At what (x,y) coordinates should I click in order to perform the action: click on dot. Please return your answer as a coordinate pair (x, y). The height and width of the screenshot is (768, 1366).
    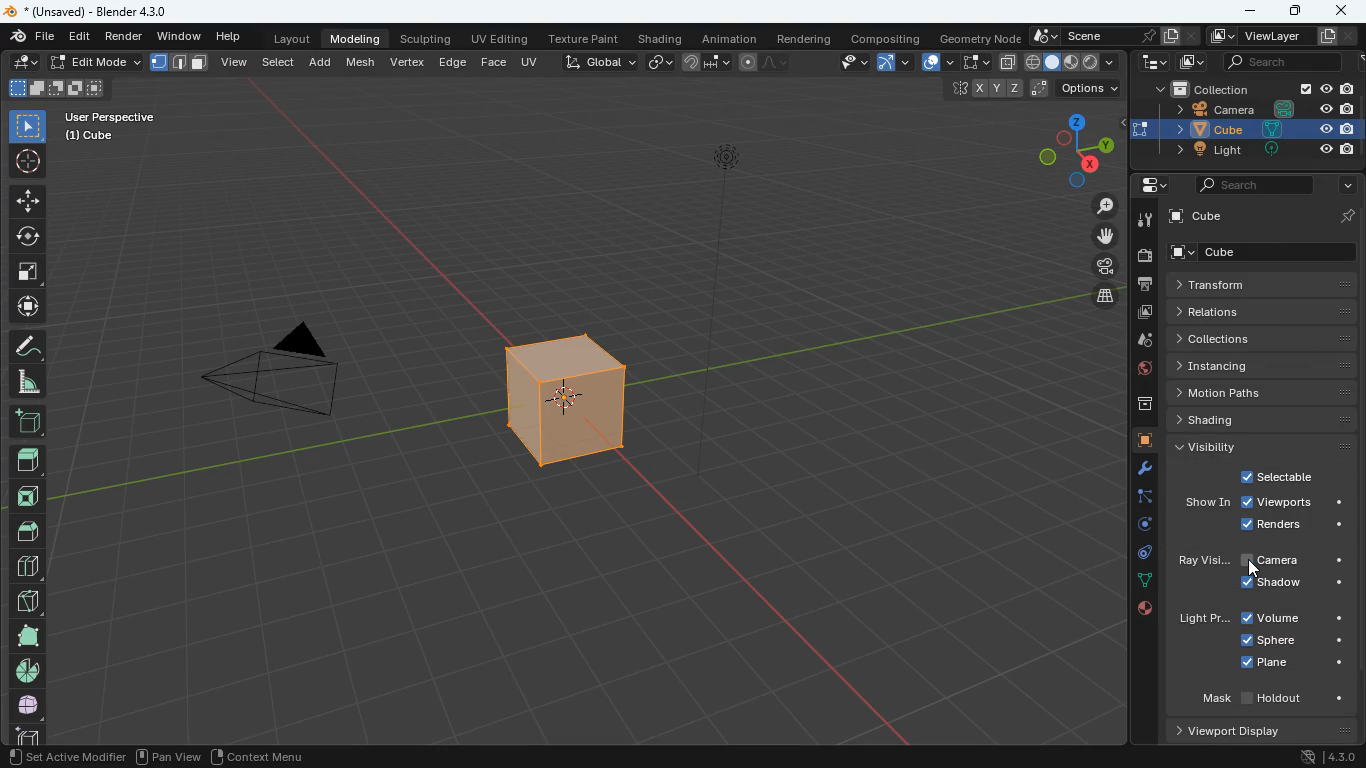
    Looking at the image, I should click on (1144, 583).